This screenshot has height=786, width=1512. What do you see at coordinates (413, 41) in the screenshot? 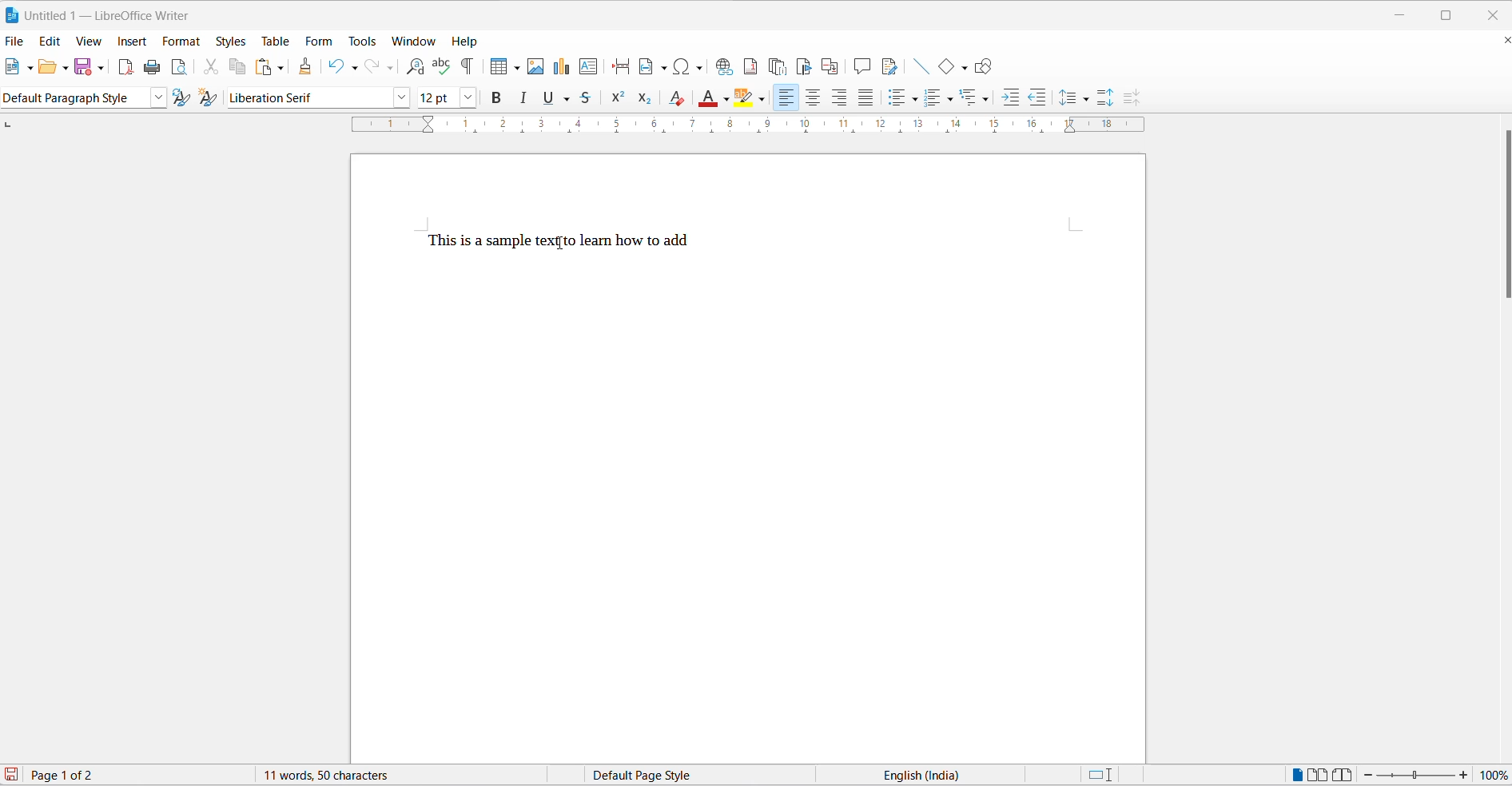
I see `window` at bounding box center [413, 41].